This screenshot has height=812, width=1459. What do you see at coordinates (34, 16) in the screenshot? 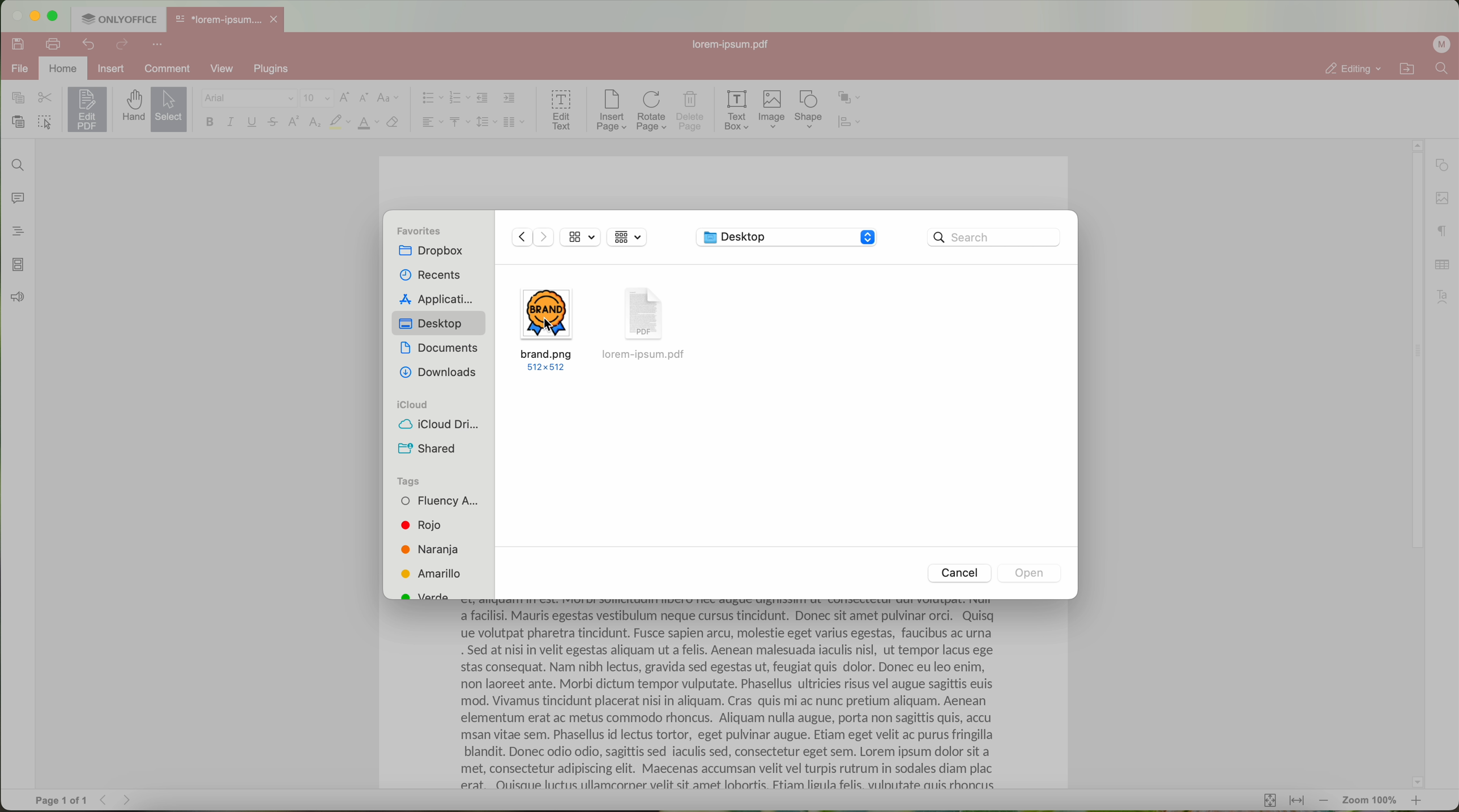
I see `minimize` at bounding box center [34, 16].